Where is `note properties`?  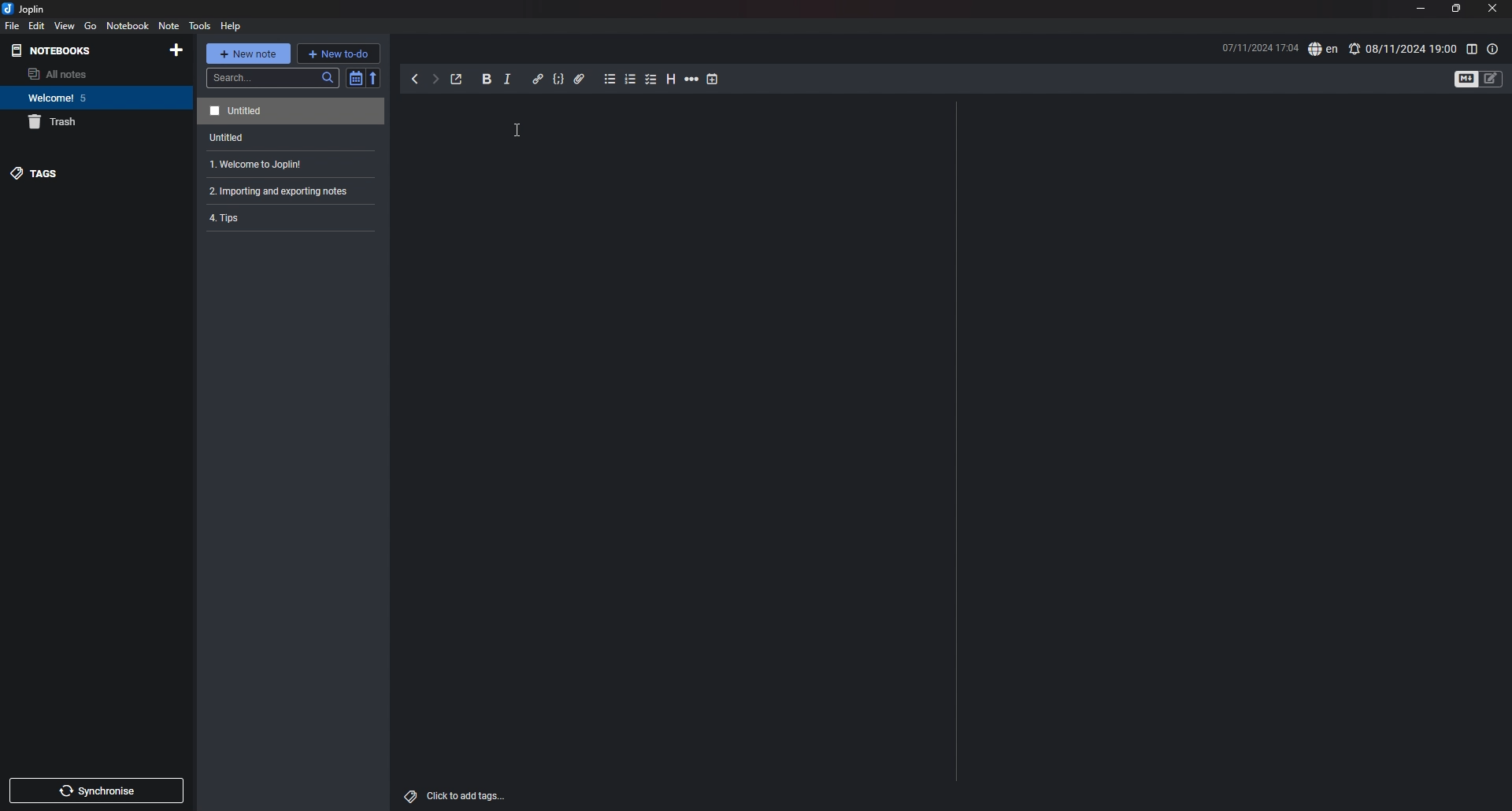
note properties is located at coordinates (1494, 50).